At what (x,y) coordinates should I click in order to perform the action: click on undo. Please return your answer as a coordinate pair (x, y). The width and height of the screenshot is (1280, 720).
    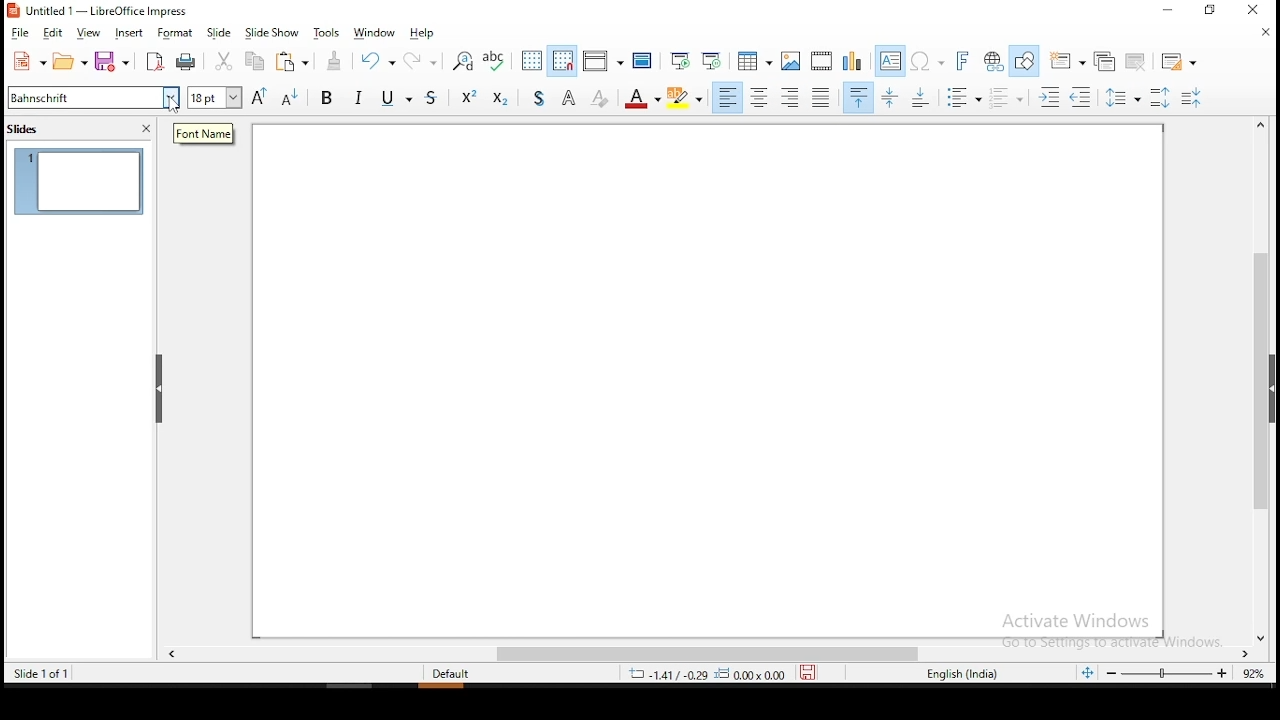
    Looking at the image, I should click on (380, 63).